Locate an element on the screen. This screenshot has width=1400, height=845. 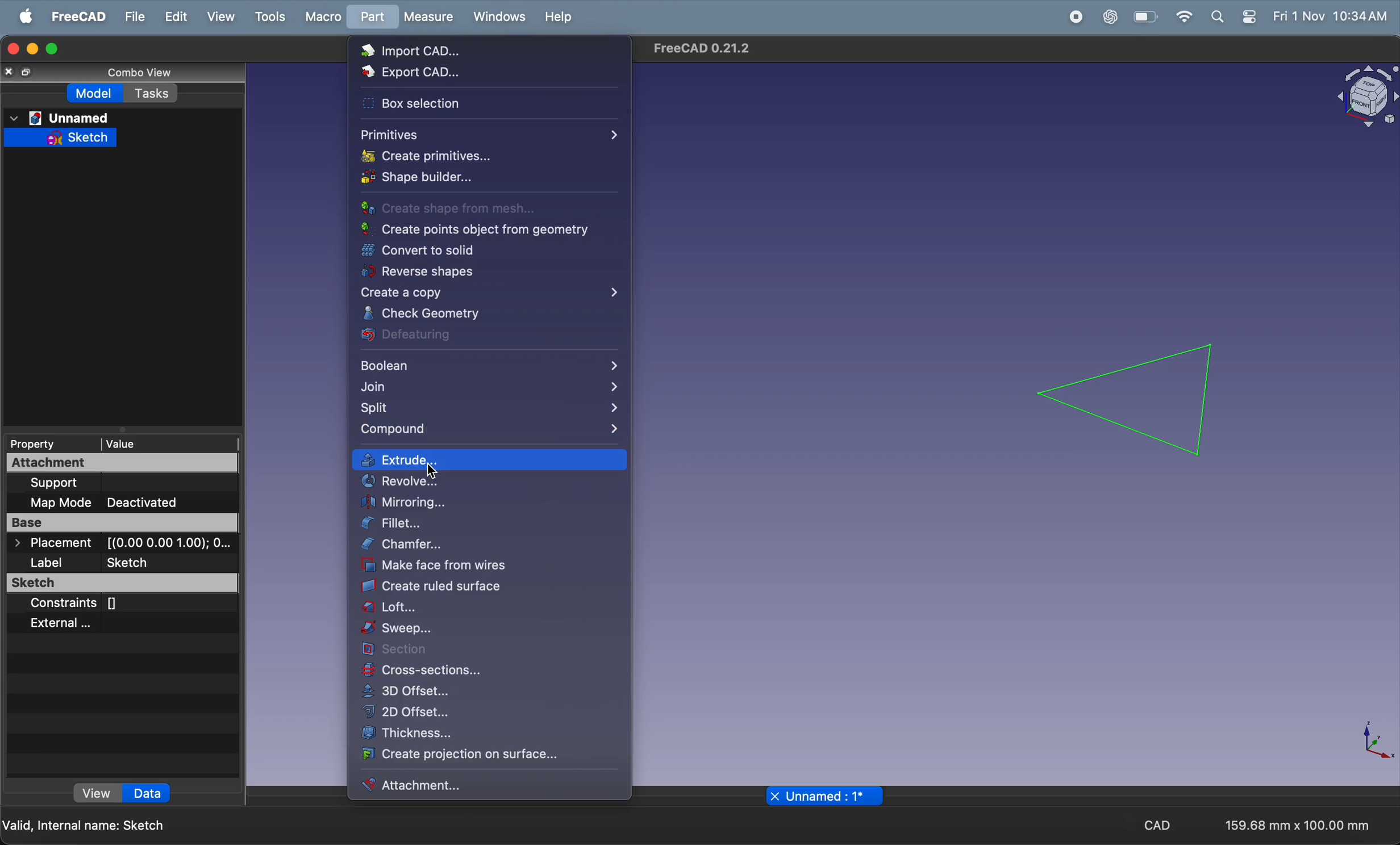
revolve is located at coordinates (487, 483).